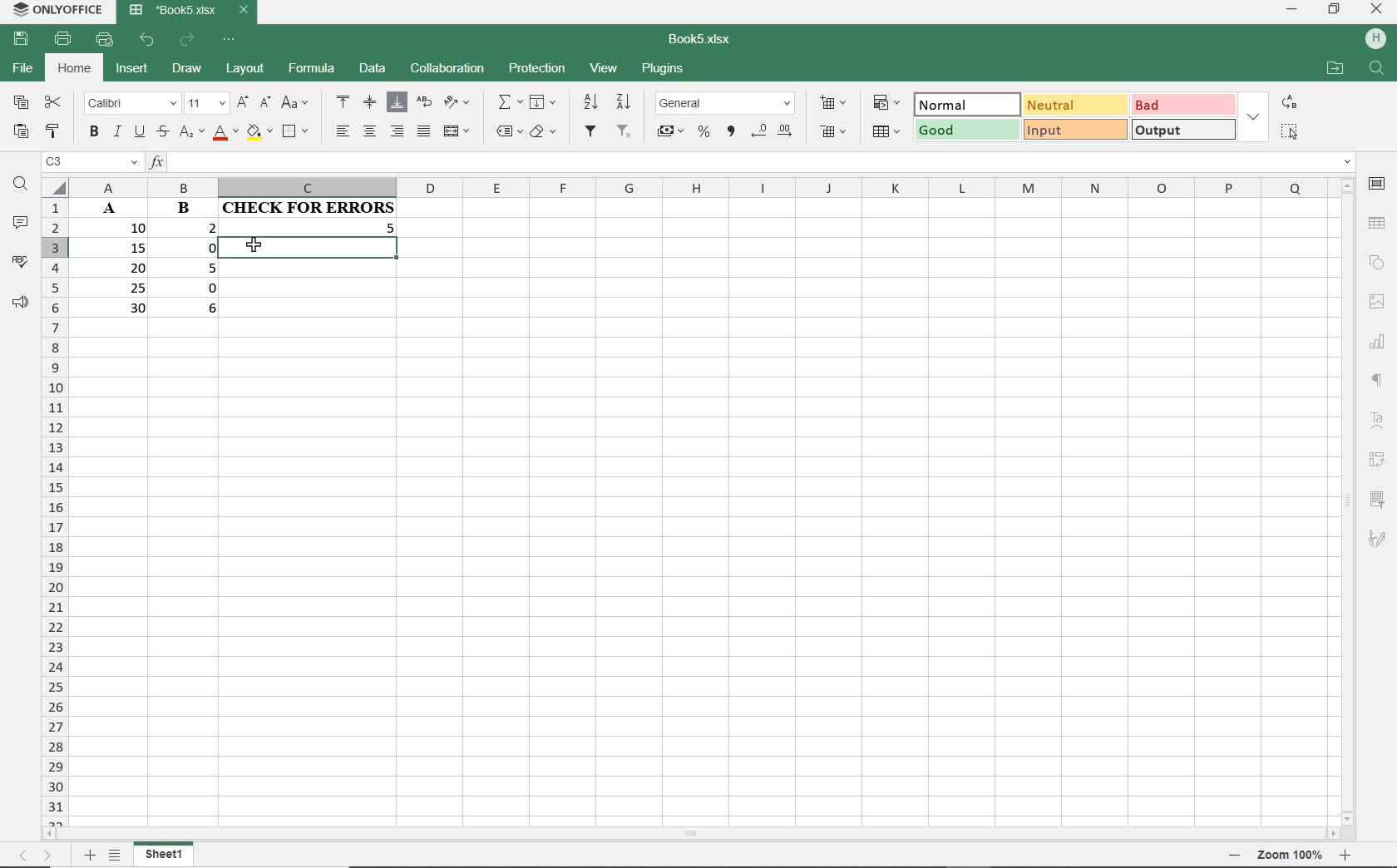 The width and height of the screenshot is (1397, 868). What do you see at coordinates (37, 856) in the screenshot?
I see `` at bounding box center [37, 856].